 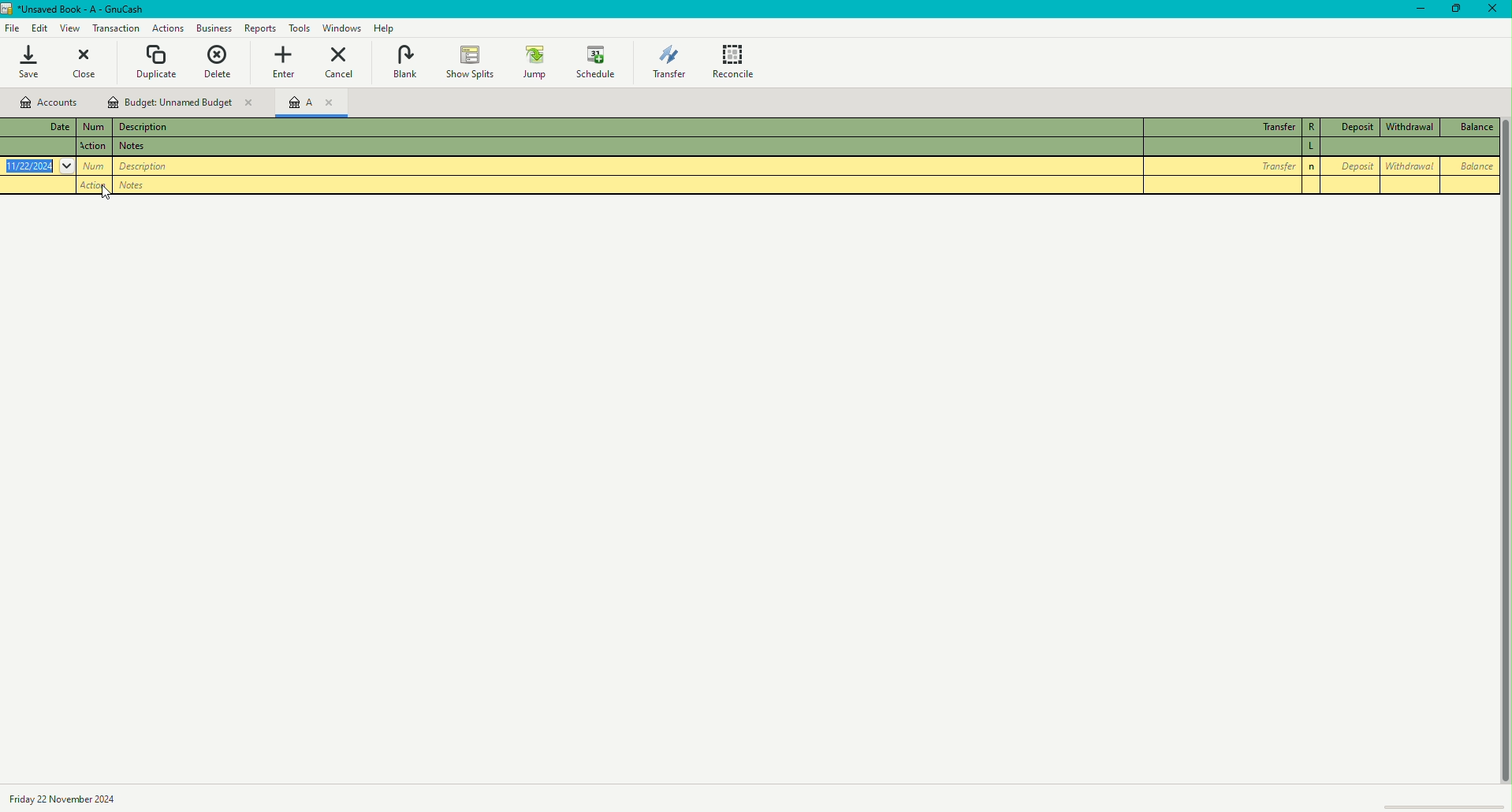 I want to click on Transfer, so click(x=1223, y=125).